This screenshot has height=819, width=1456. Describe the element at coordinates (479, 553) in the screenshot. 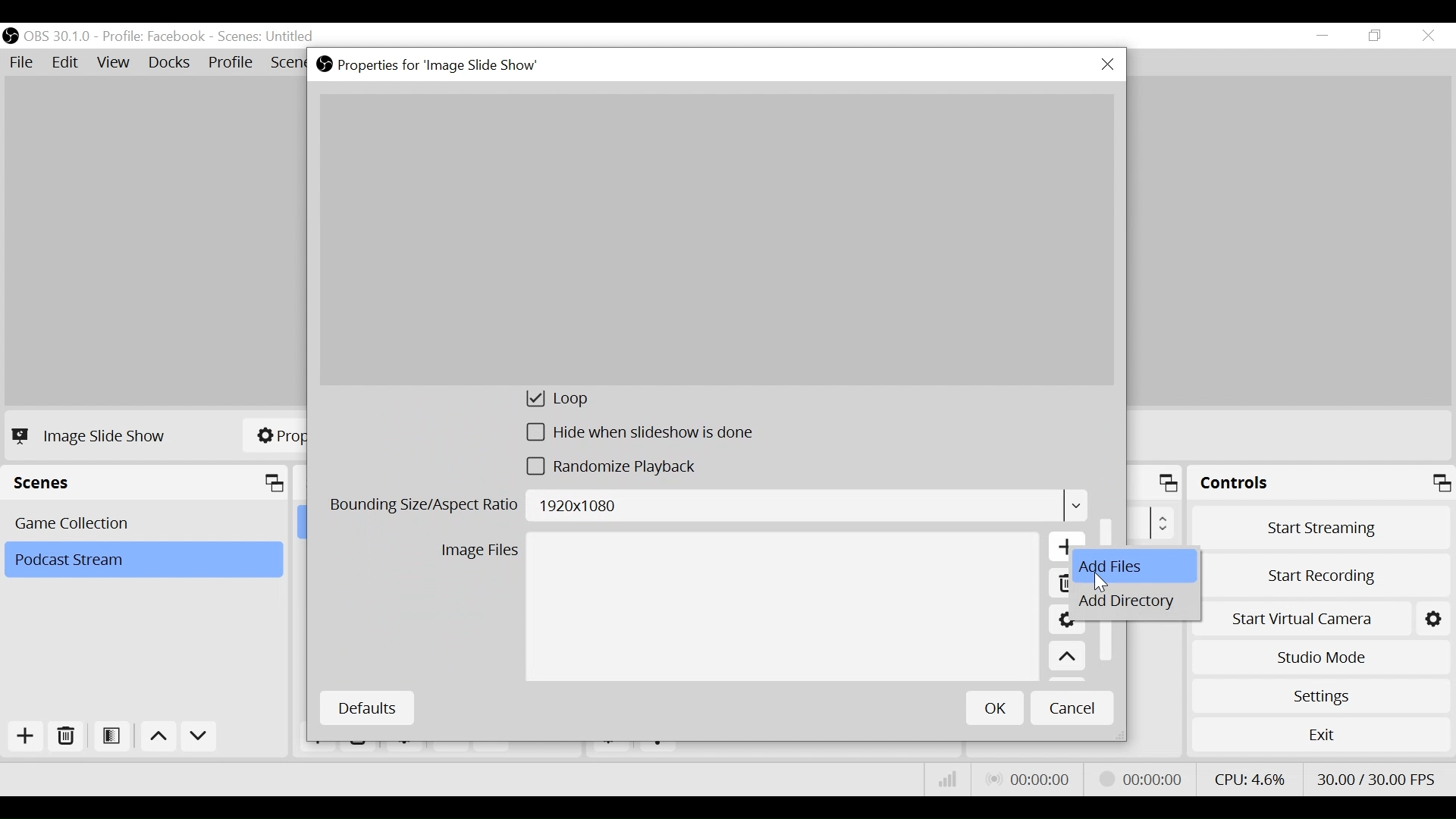

I see `Image Files` at that location.